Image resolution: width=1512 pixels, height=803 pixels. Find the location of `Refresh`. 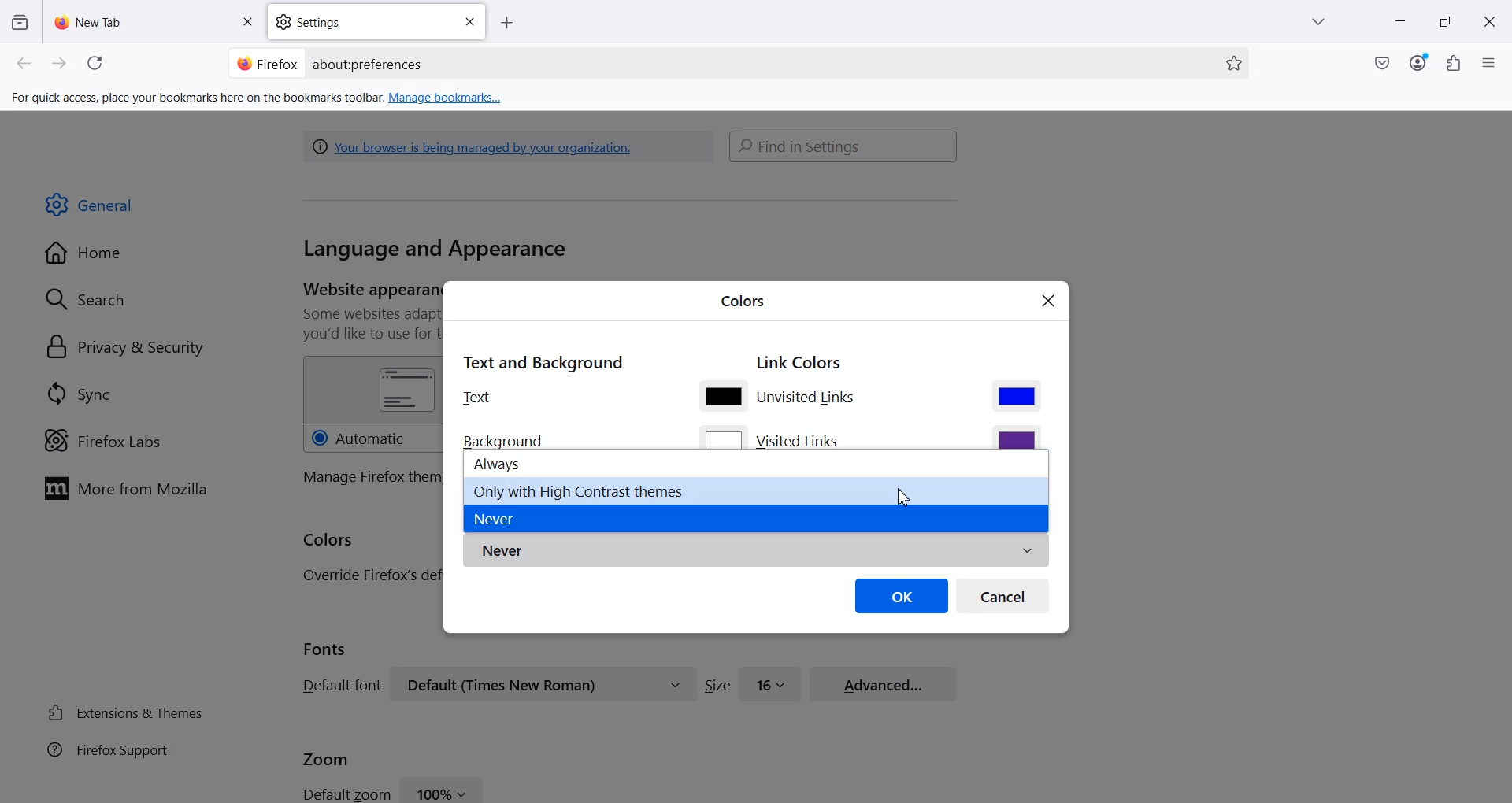

Refresh is located at coordinates (98, 64).